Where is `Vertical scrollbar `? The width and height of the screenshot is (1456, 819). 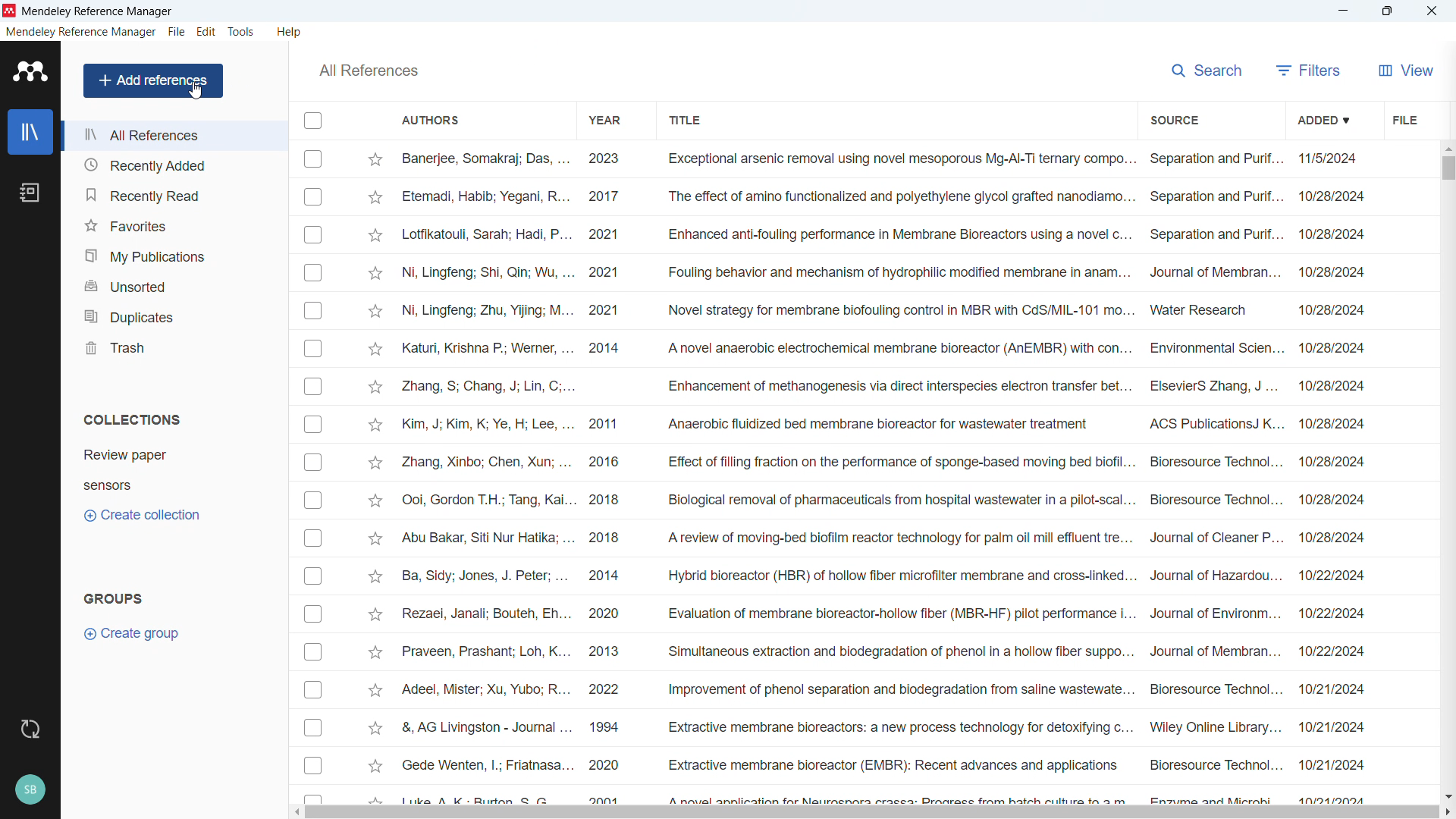 Vertical scrollbar  is located at coordinates (1448, 168).